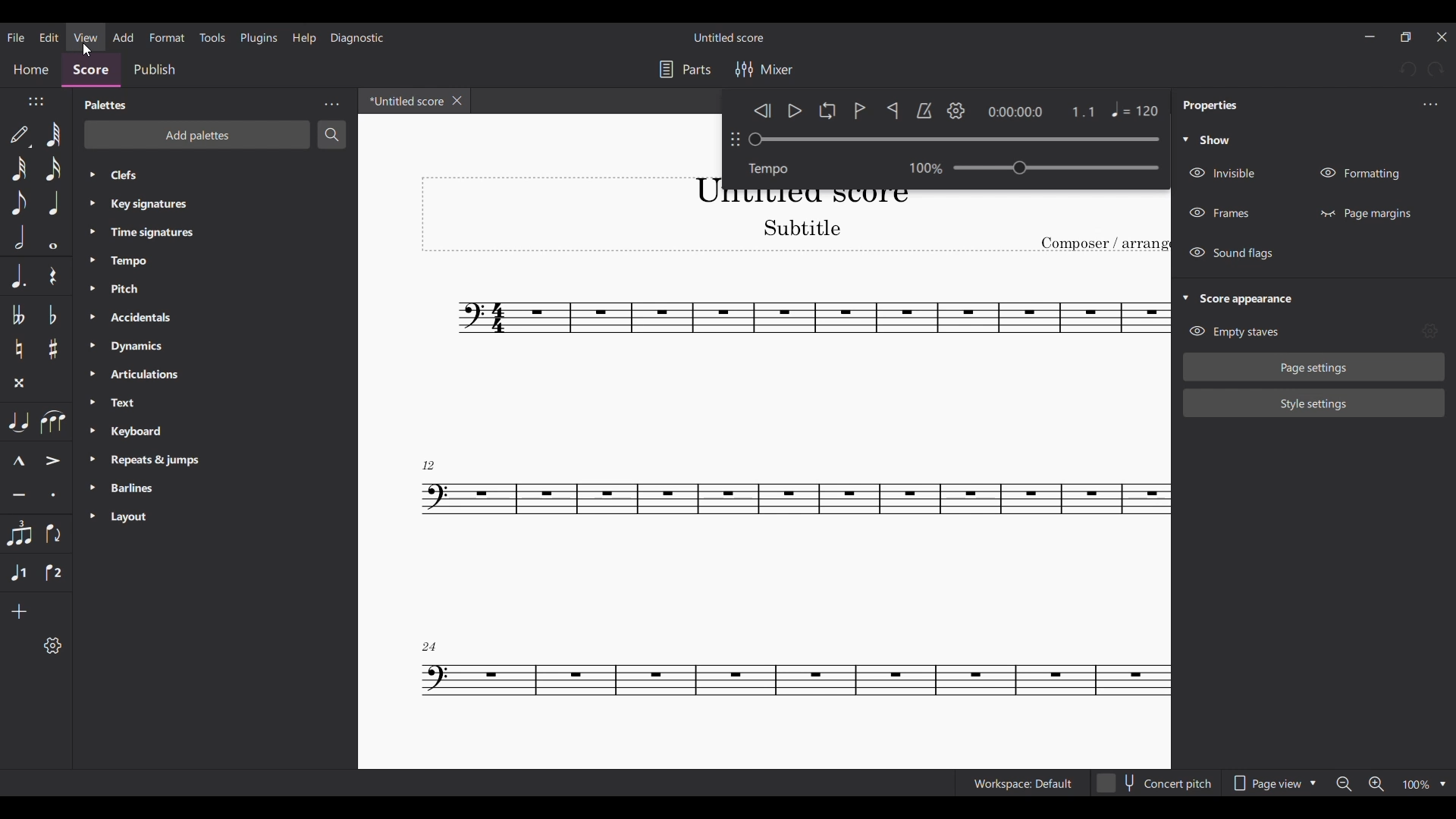 This screenshot has height=819, width=1456. What do you see at coordinates (19, 534) in the screenshot?
I see `Tupplet` at bounding box center [19, 534].